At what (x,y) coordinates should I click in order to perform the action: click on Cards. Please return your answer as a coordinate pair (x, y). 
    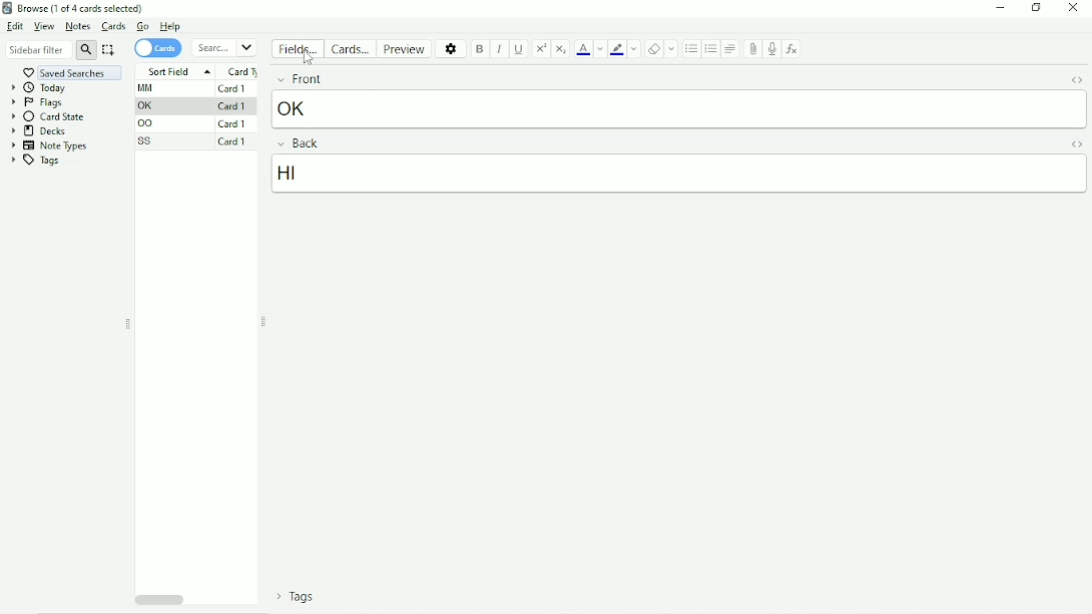
    Looking at the image, I should click on (352, 49).